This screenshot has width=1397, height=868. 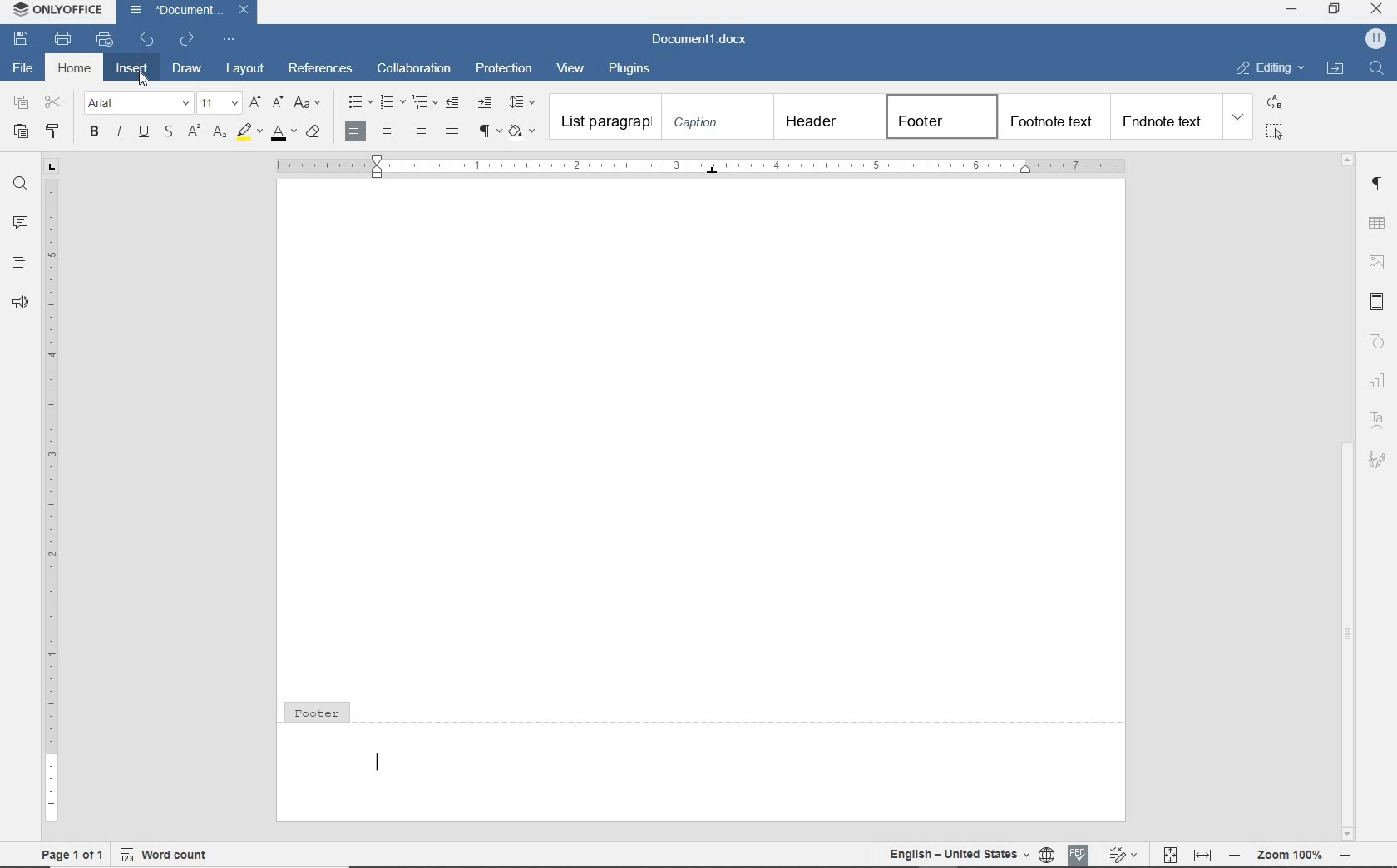 I want to click on NONPRINTING CHARACTERS, so click(x=490, y=131).